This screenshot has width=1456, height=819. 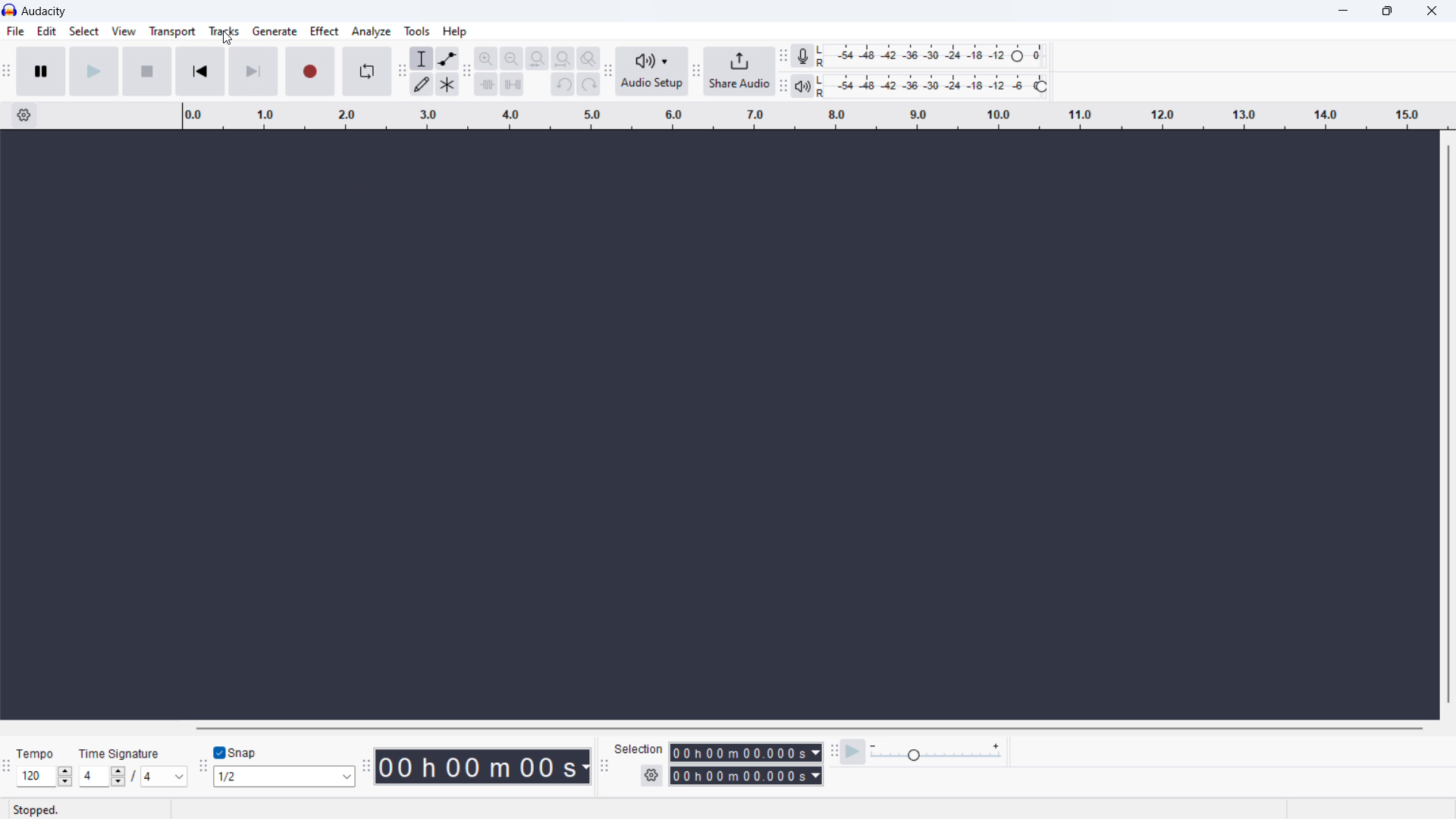 What do you see at coordinates (469, 71) in the screenshot?
I see `edit toolbar` at bounding box center [469, 71].